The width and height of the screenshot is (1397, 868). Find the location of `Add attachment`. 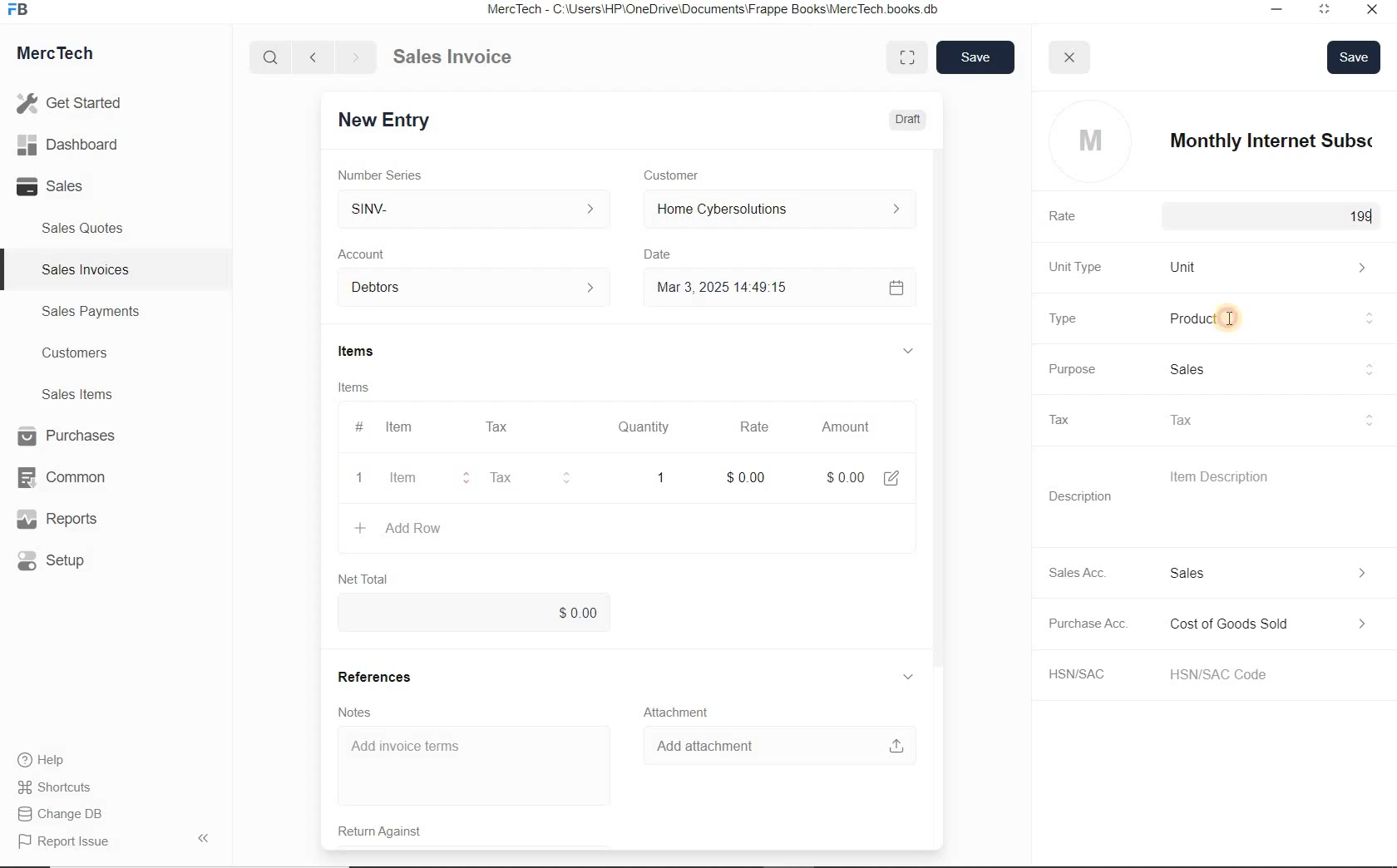

Add attachment is located at coordinates (770, 745).